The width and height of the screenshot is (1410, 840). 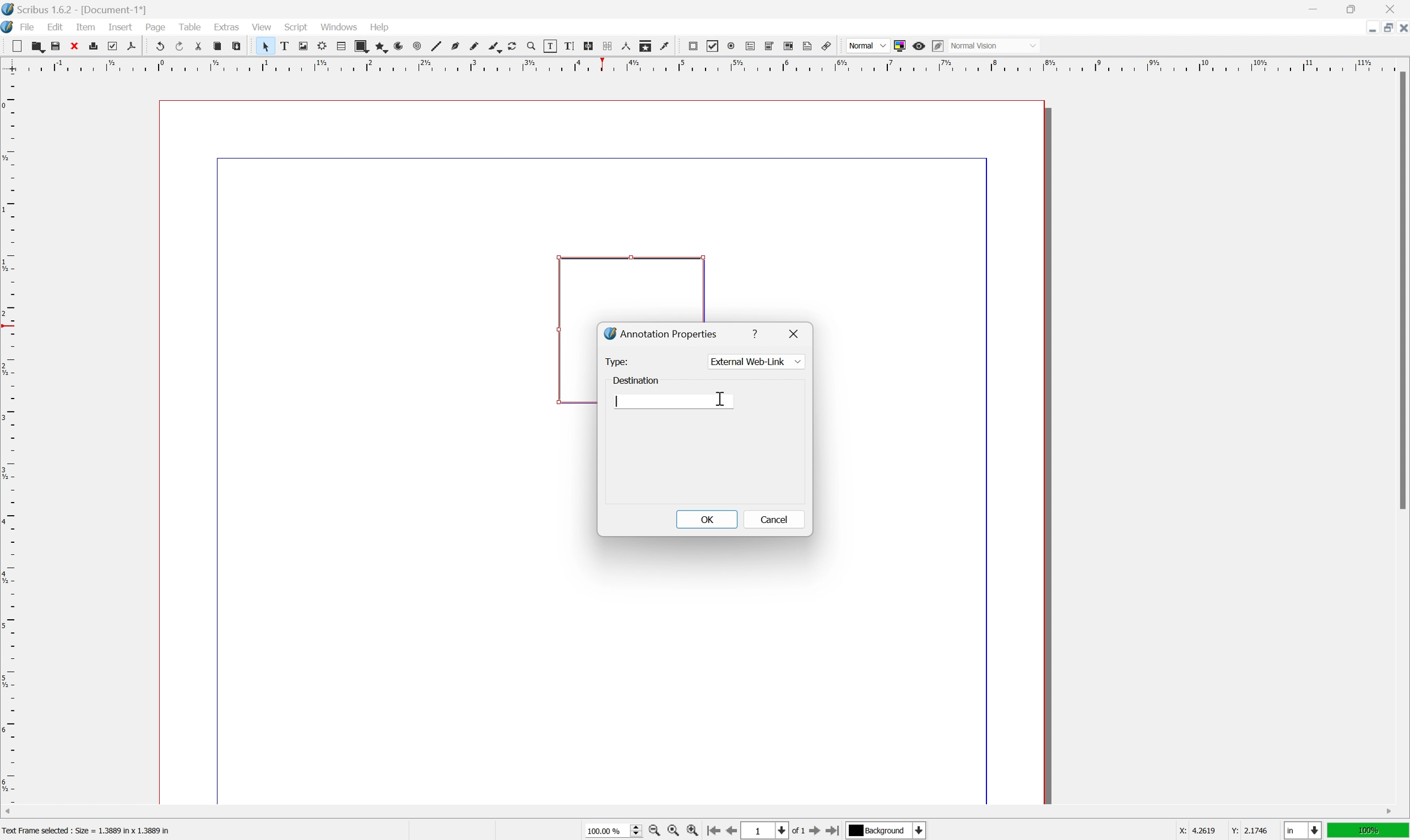 I want to click on arc, so click(x=399, y=46).